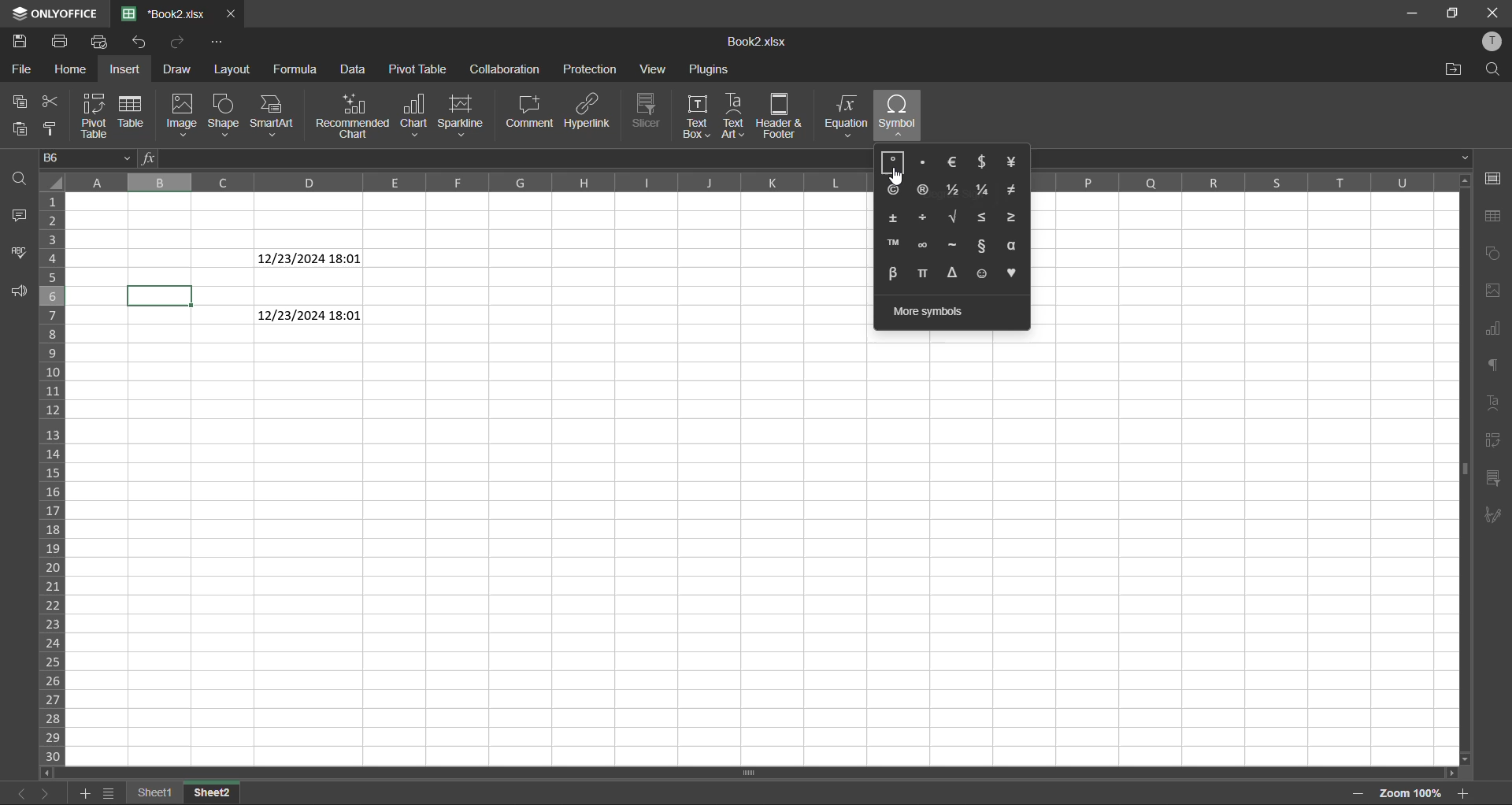 Image resolution: width=1512 pixels, height=805 pixels. What do you see at coordinates (921, 246) in the screenshot?
I see `infinity` at bounding box center [921, 246].